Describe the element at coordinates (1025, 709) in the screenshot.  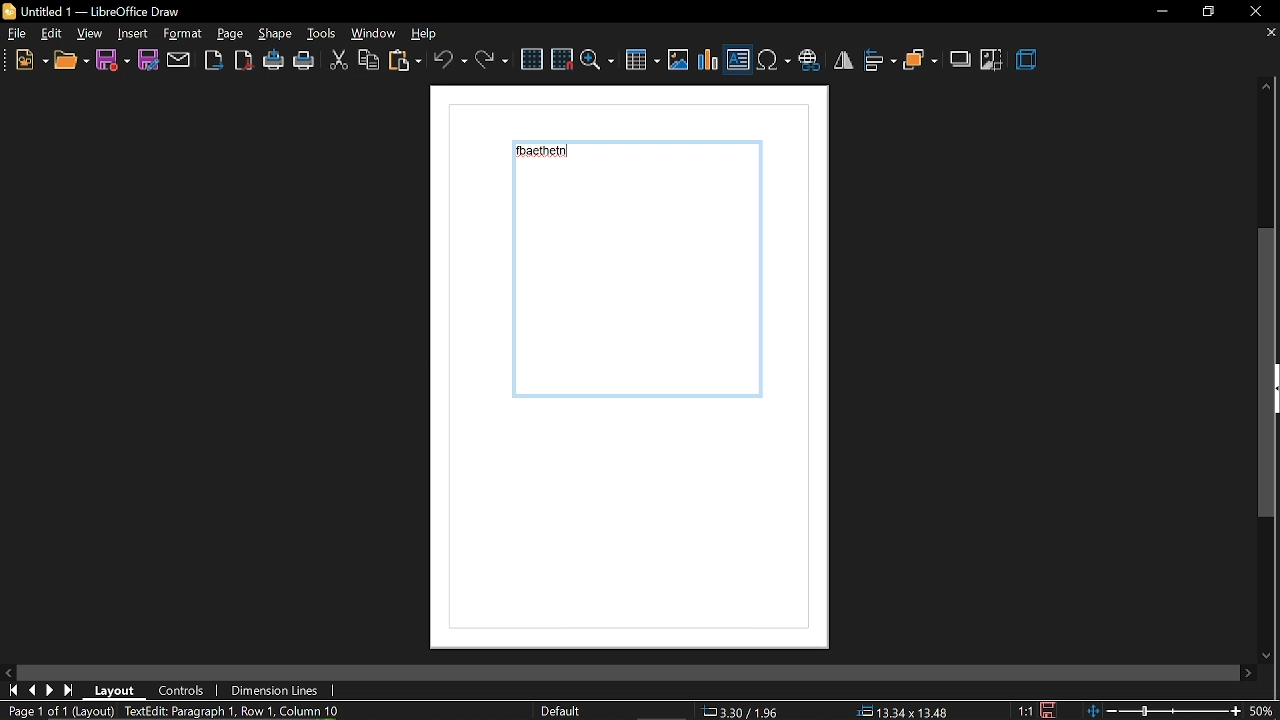
I see `scaling factor (1:1)` at that location.